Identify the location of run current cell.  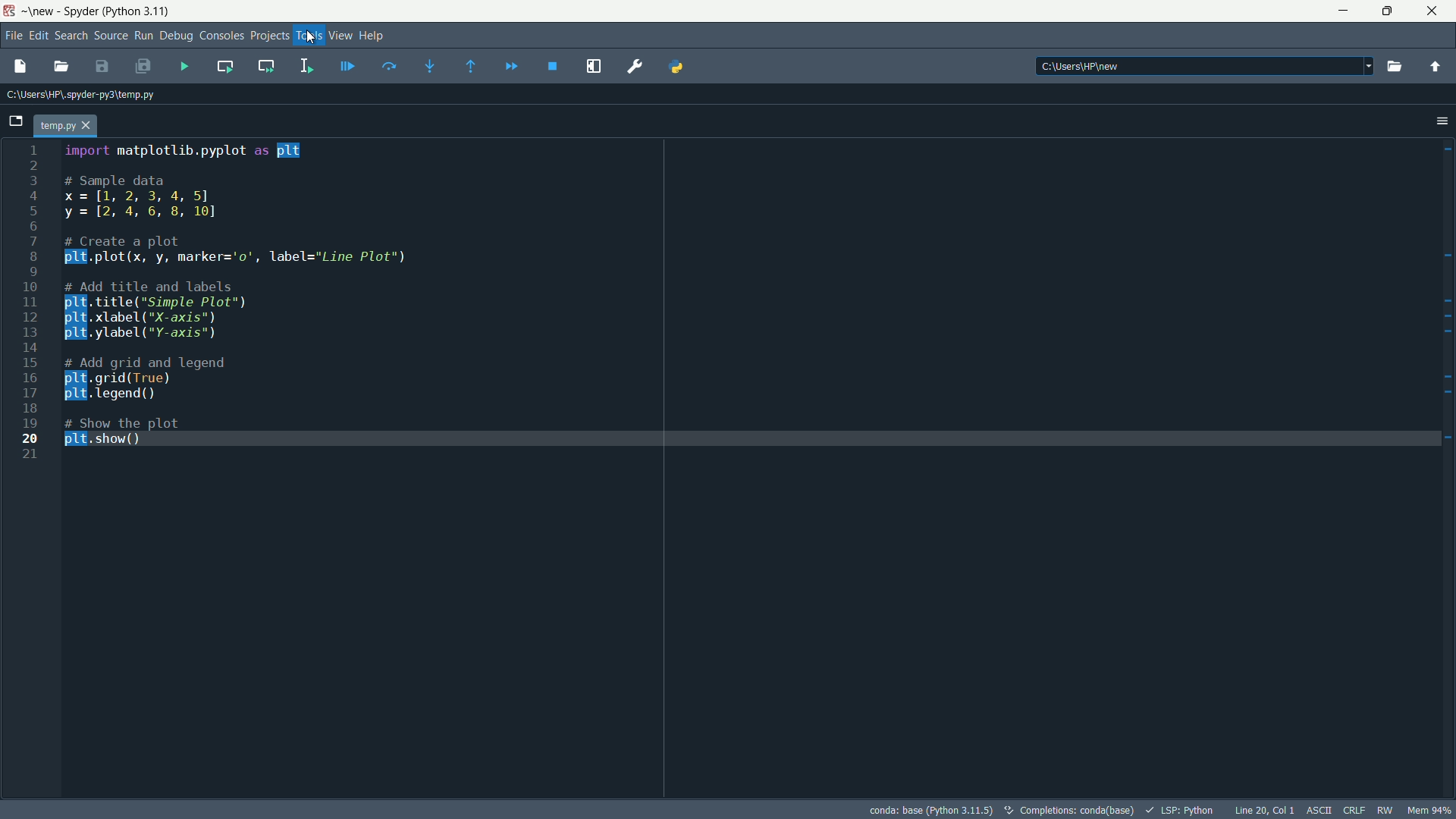
(225, 66).